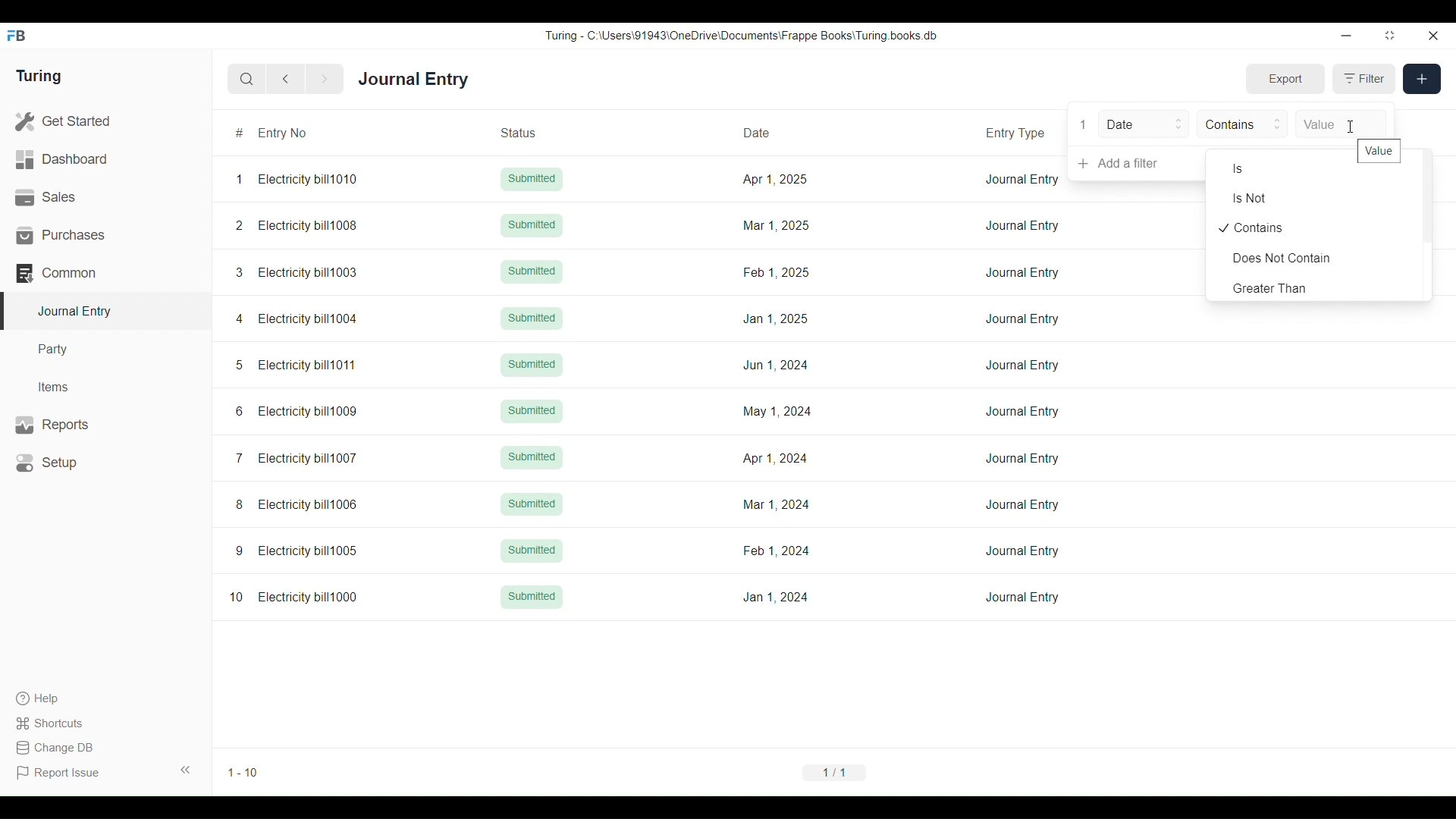  What do you see at coordinates (775, 597) in the screenshot?
I see `Jan 1, 2024` at bounding box center [775, 597].